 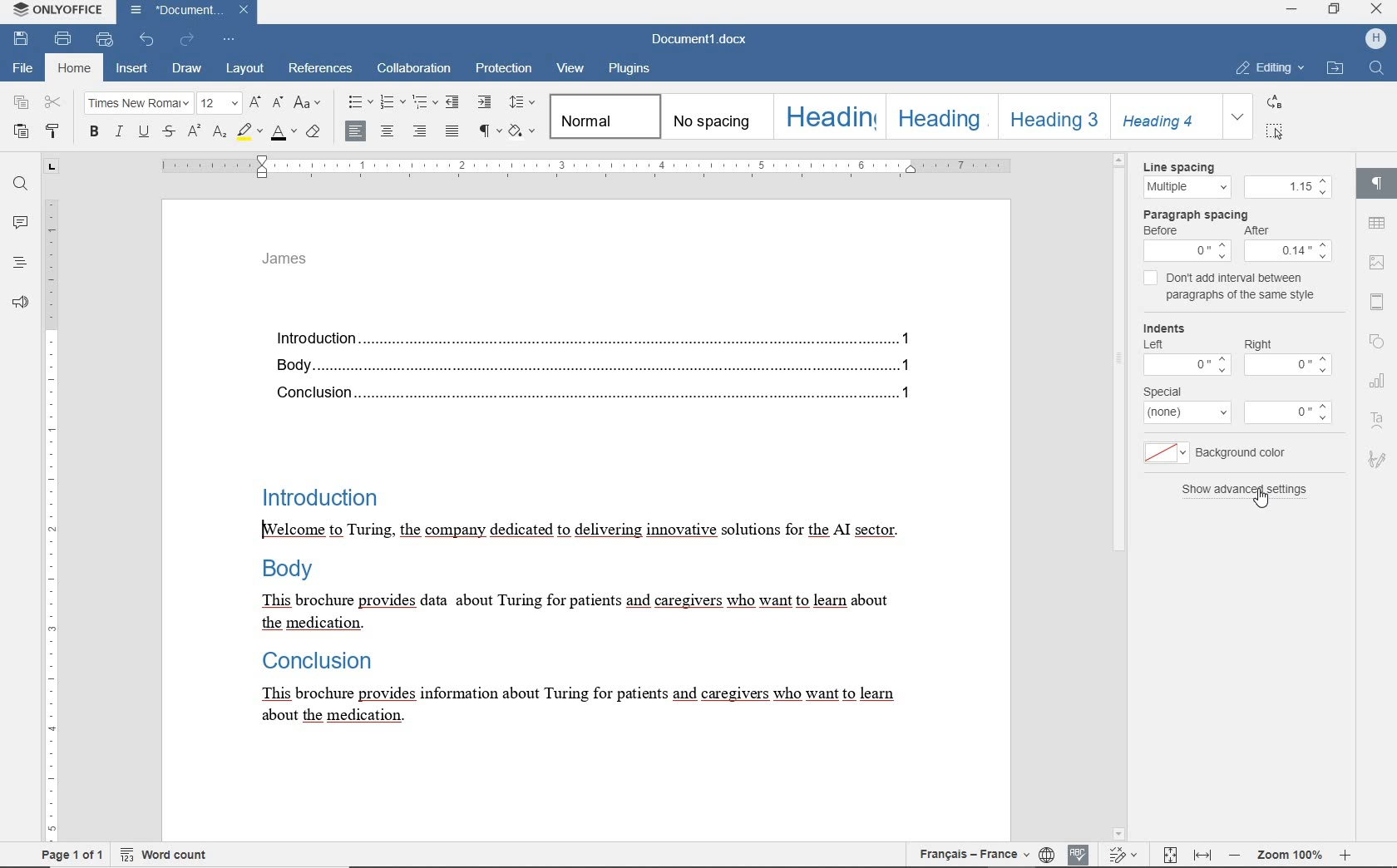 What do you see at coordinates (279, 104) in the screenshot?
I see `decrement font size` at bounding box center [279, 104].